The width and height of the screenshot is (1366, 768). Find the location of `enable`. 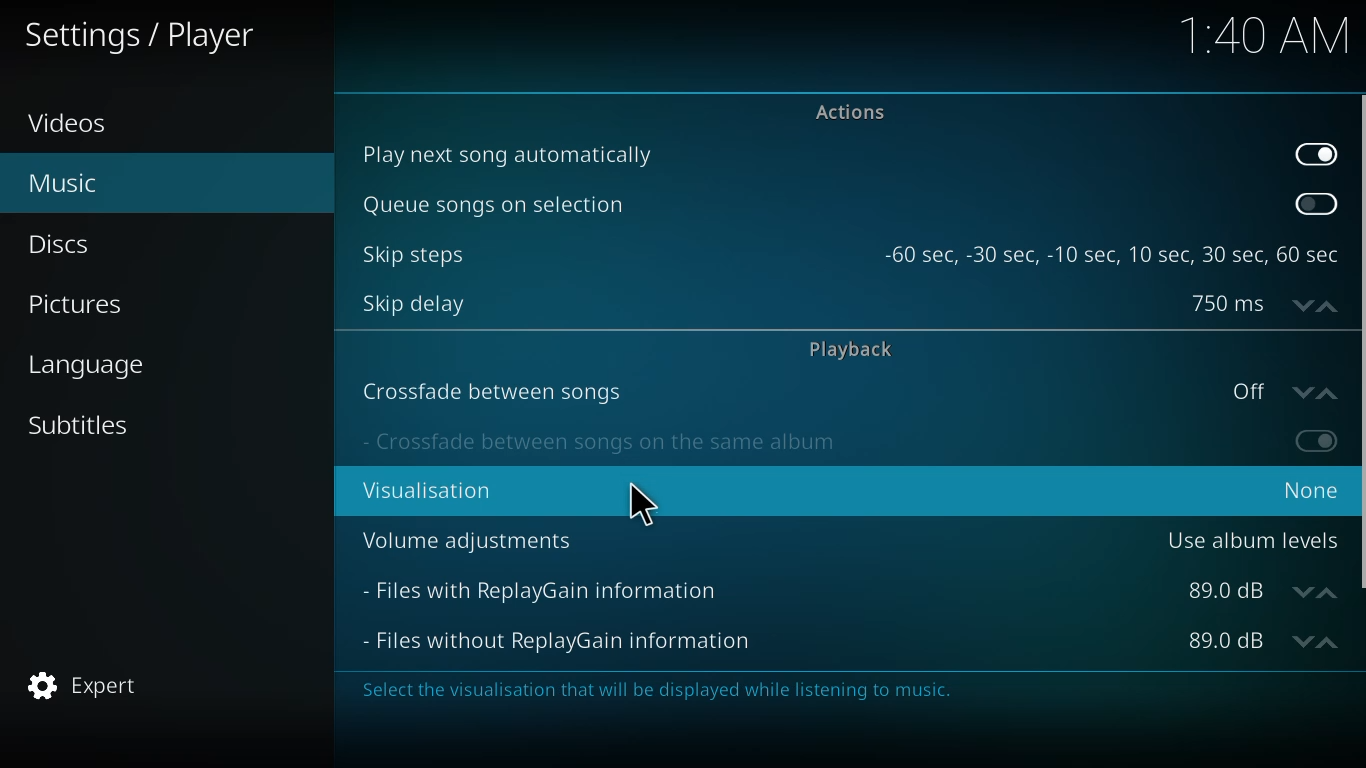

enable is located at coordinates (1318, 439).